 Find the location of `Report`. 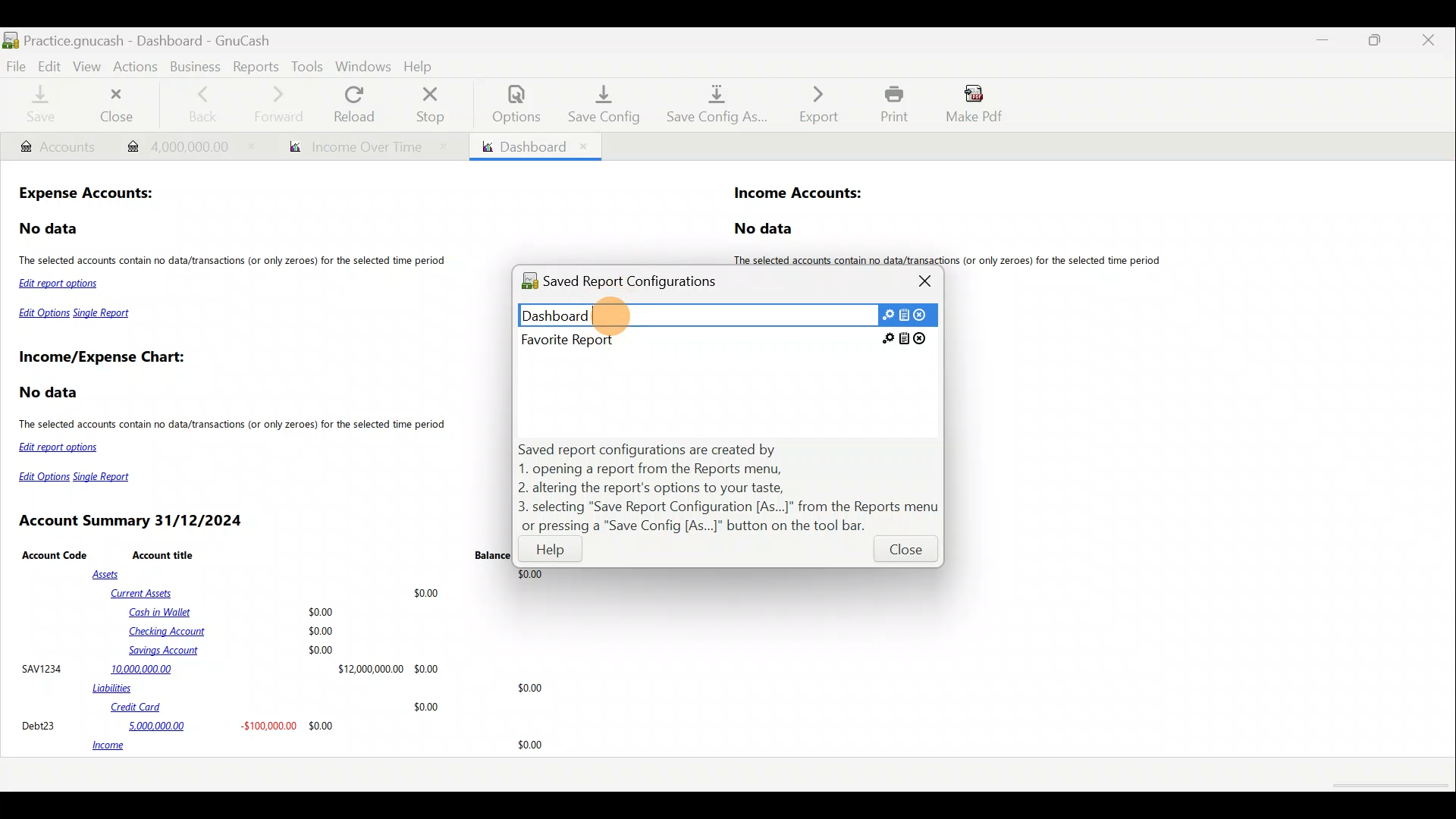

Report is located at coordinates (362, 147).